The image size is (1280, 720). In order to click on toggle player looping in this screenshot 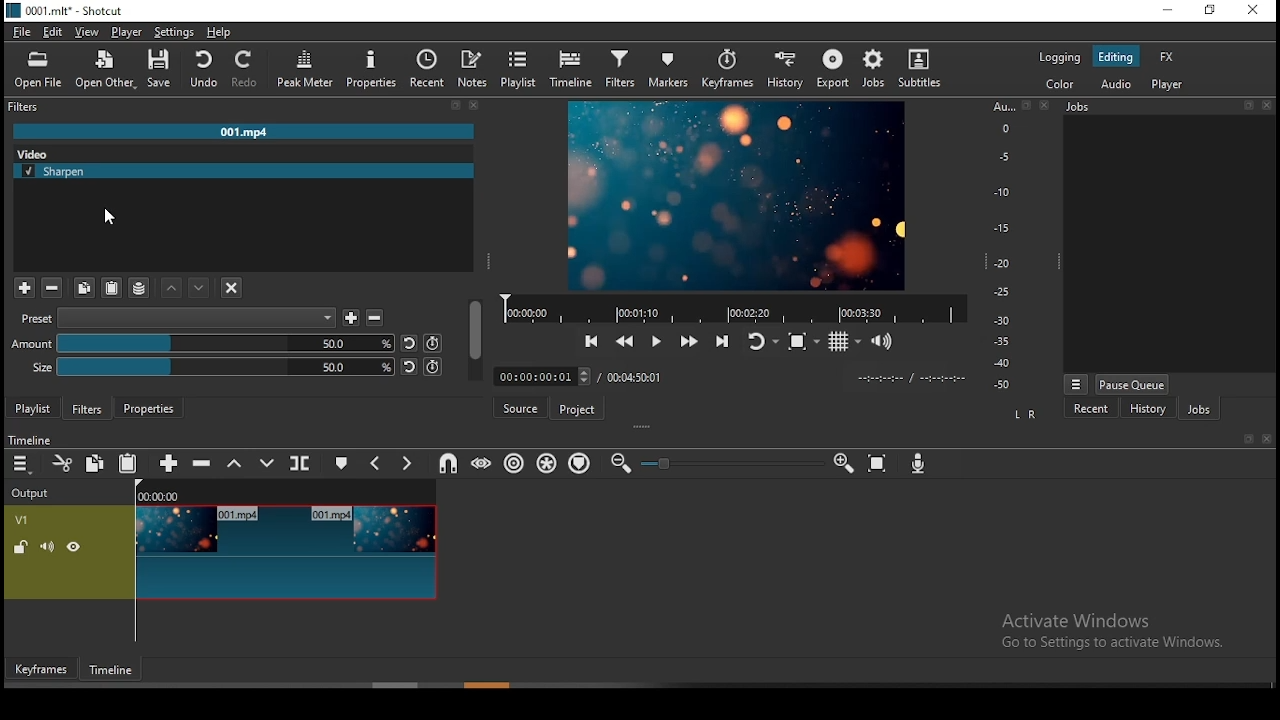, I will do `click(758, 338)`.